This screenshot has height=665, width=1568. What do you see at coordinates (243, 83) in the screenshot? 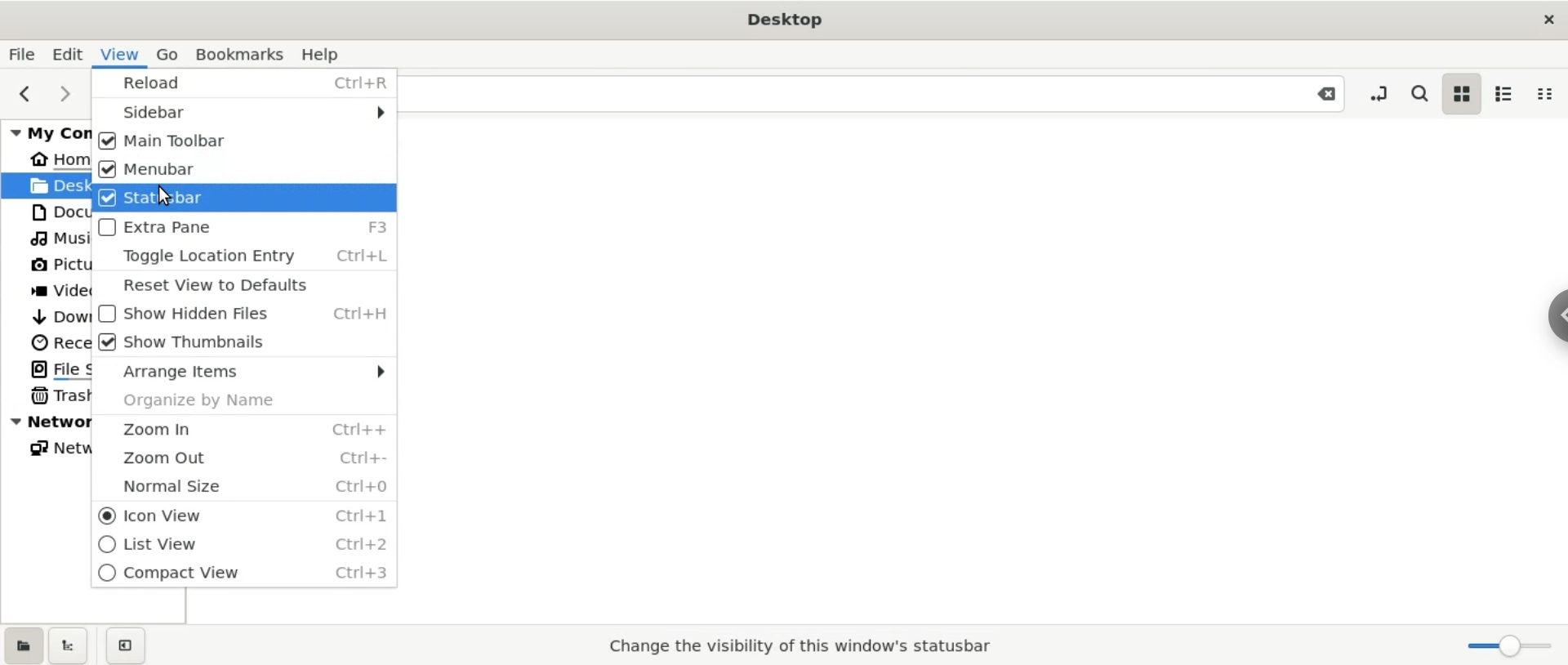
I see `Reload` at bounding box center [243, 83].